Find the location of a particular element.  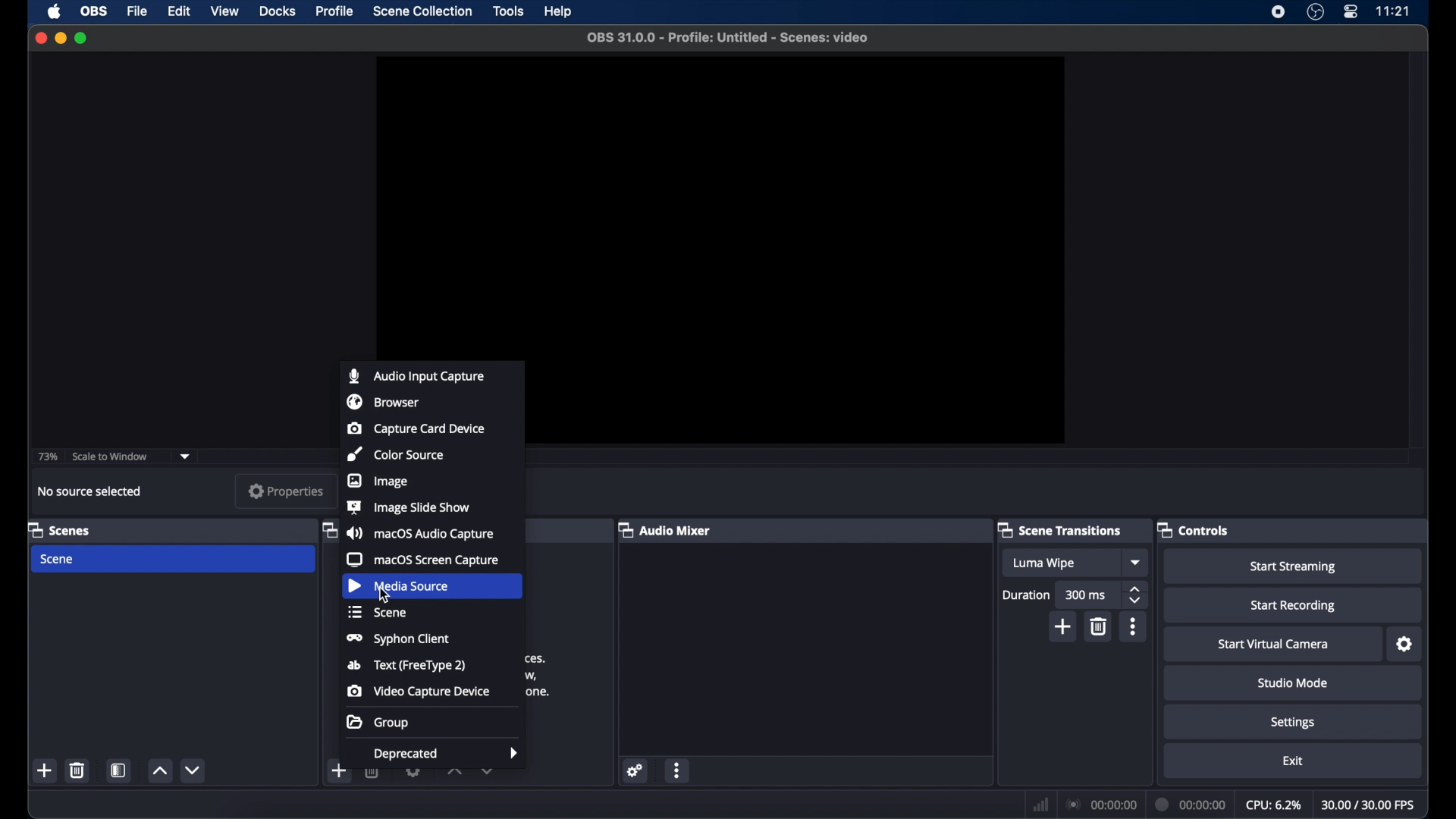

duration is located at coordinates (1028, 595).